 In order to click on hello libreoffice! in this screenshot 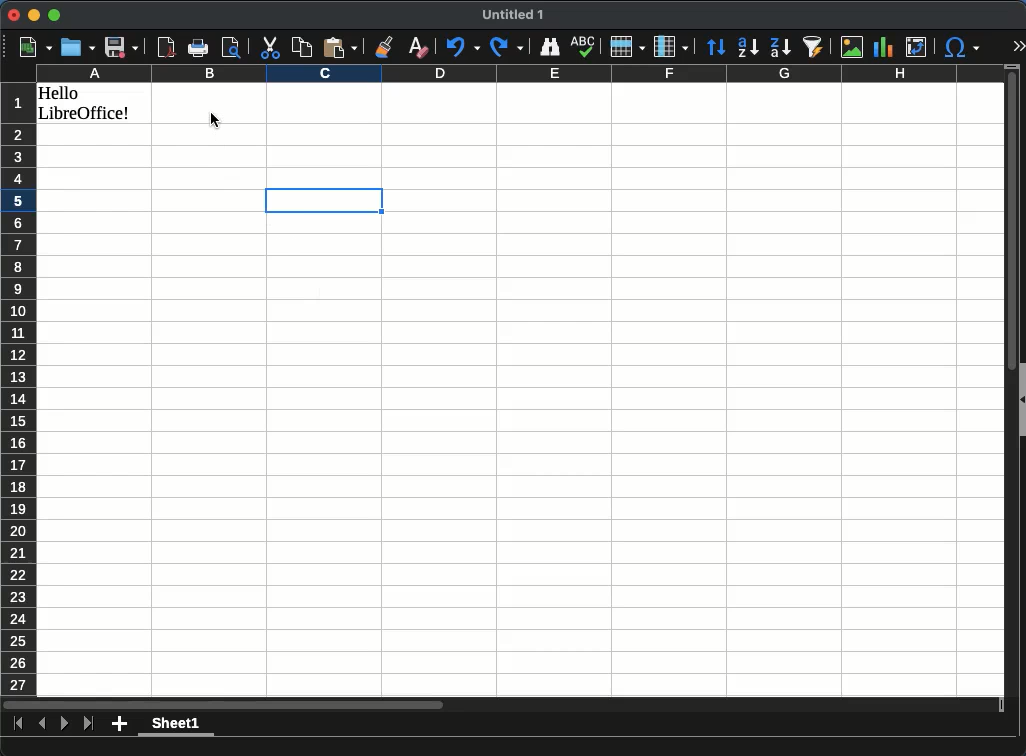, I will do `click(88, 103)`.